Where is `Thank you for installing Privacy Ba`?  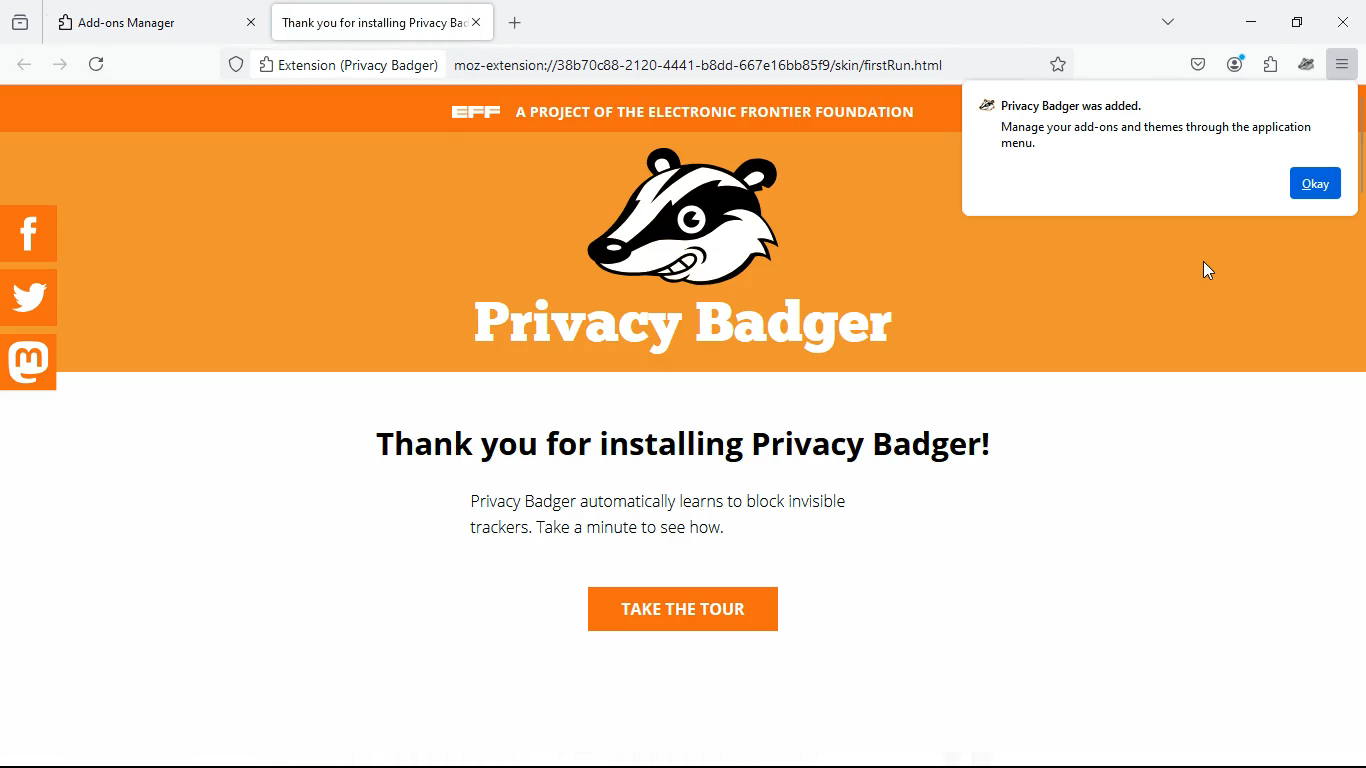 Thank you for installing Privacy Ba is located at coordinates (369, 20).